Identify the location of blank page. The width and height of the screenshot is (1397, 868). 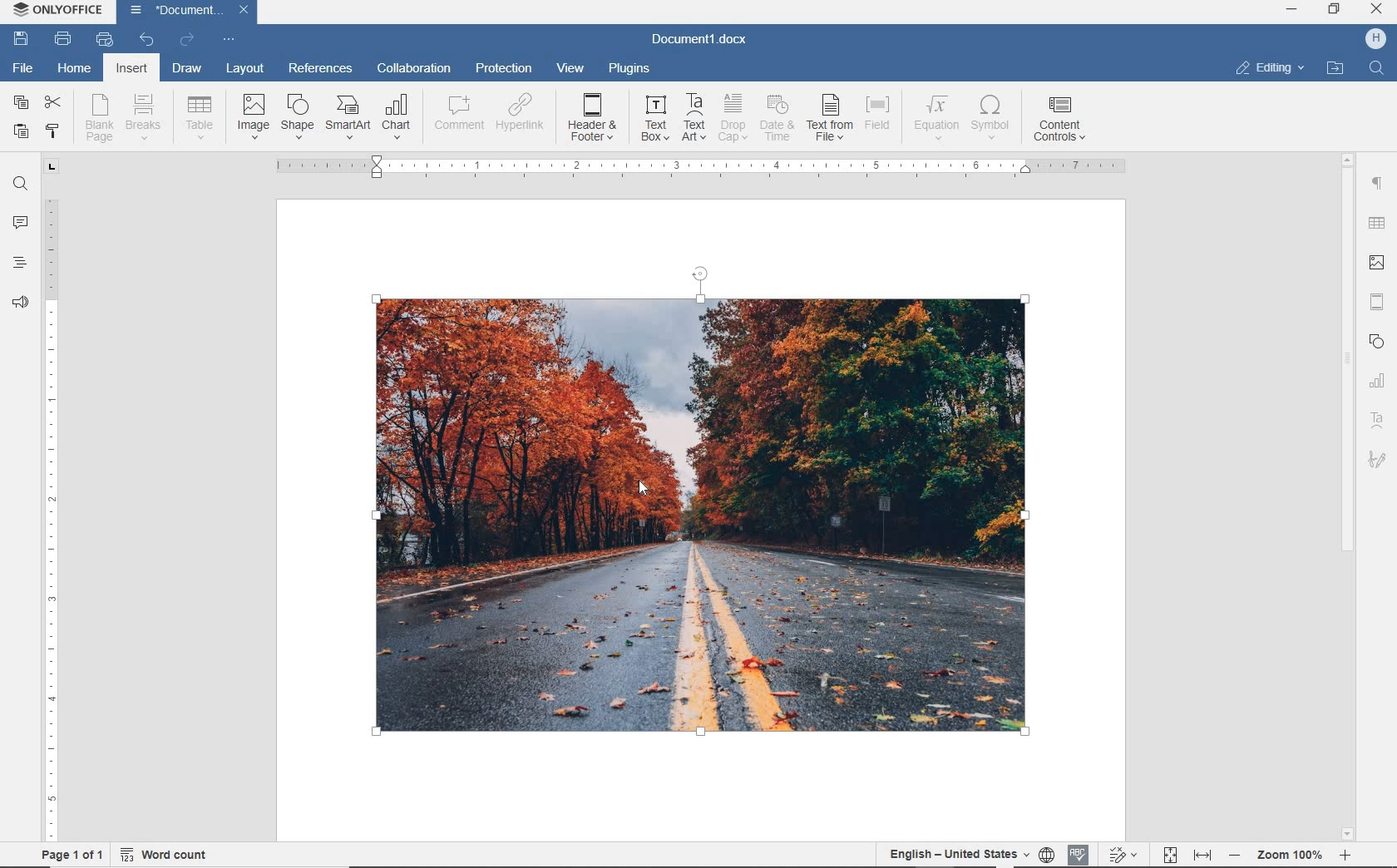
(98, 117).